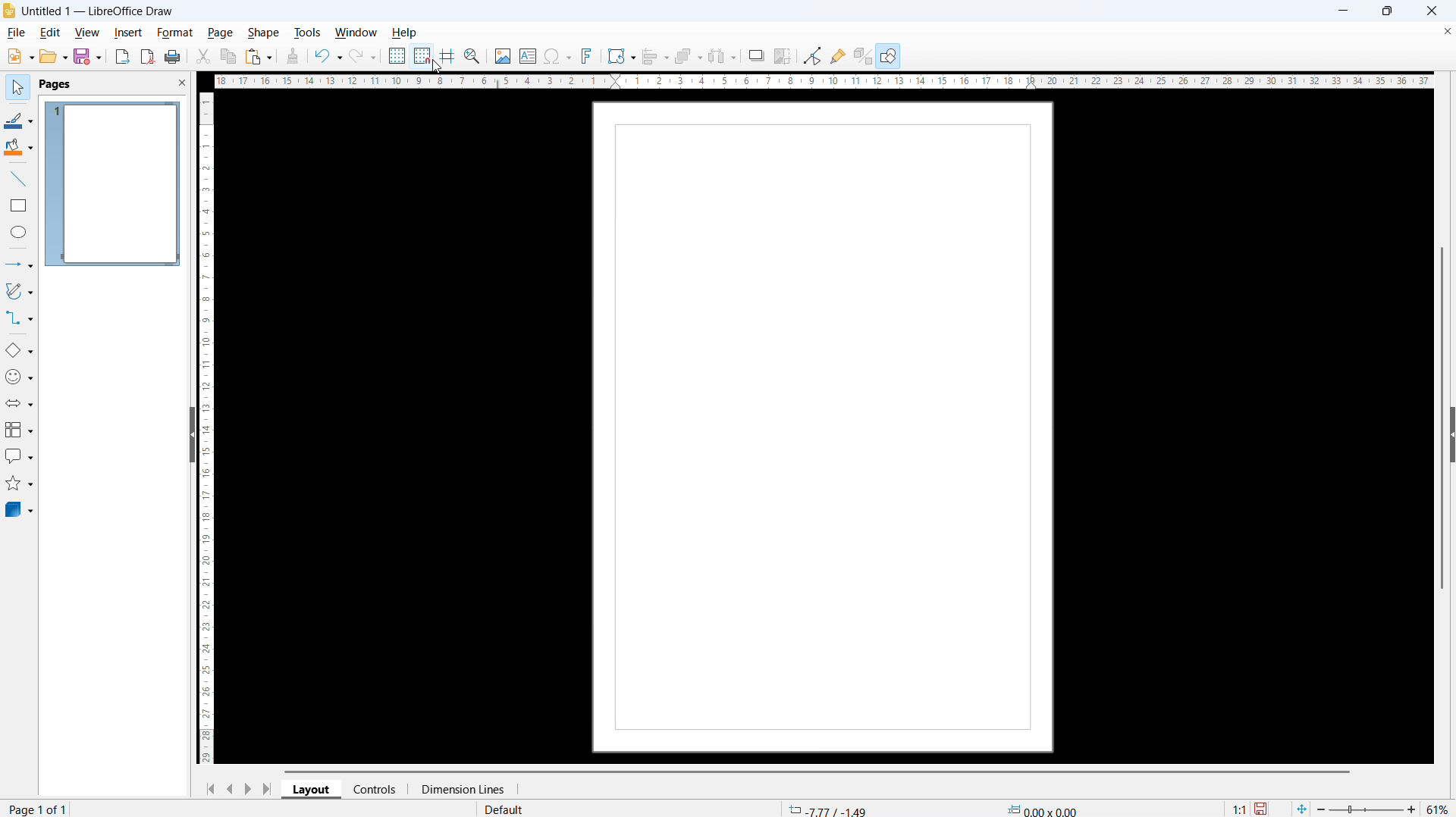 The width and height of the screenshot is (1456, 817). Describe the element at coordinates (654, 57) in the screenshot. I see `align ` at that location.